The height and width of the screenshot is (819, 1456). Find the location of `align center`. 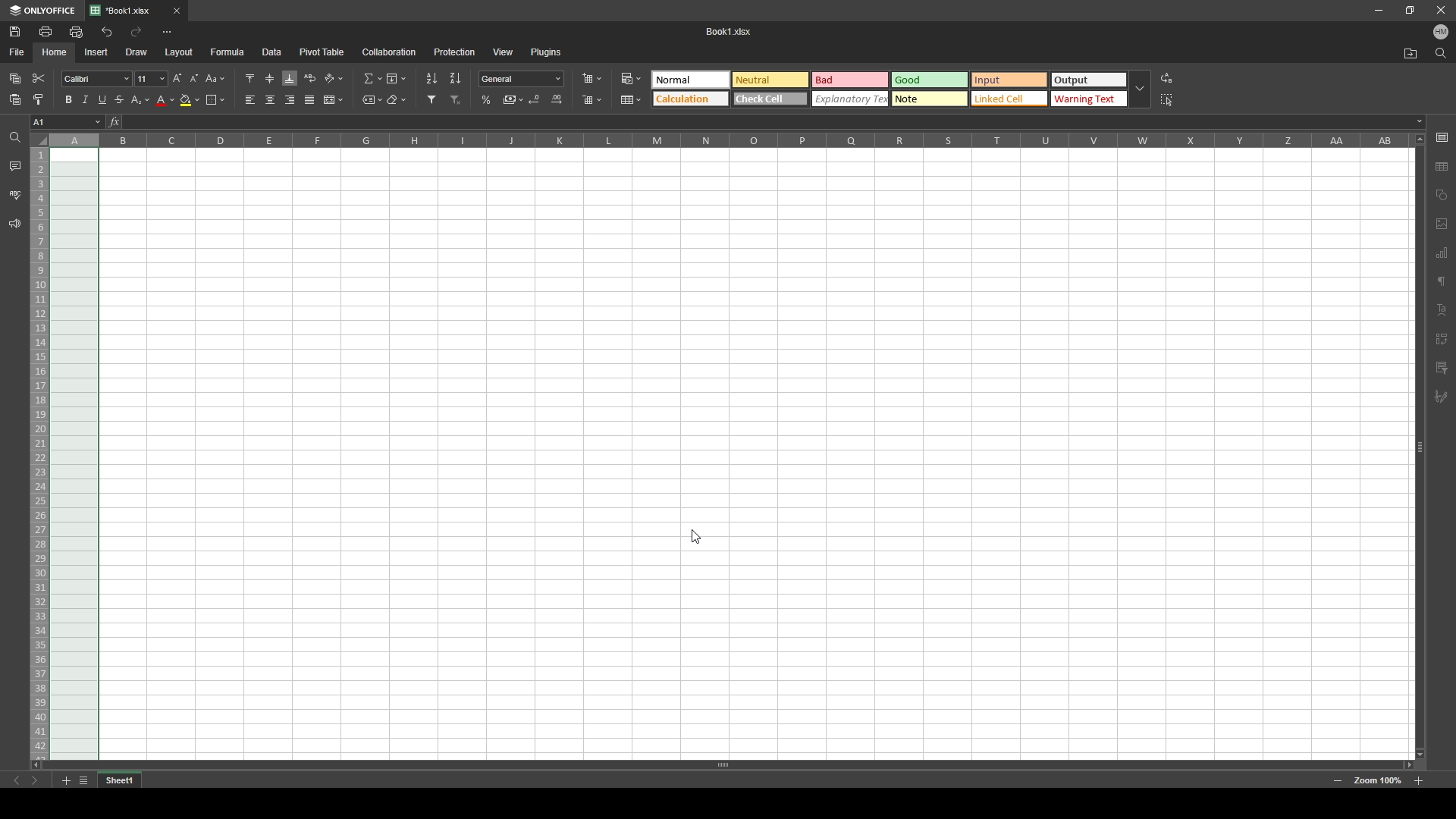

align center is located at coordinates (271, 99).